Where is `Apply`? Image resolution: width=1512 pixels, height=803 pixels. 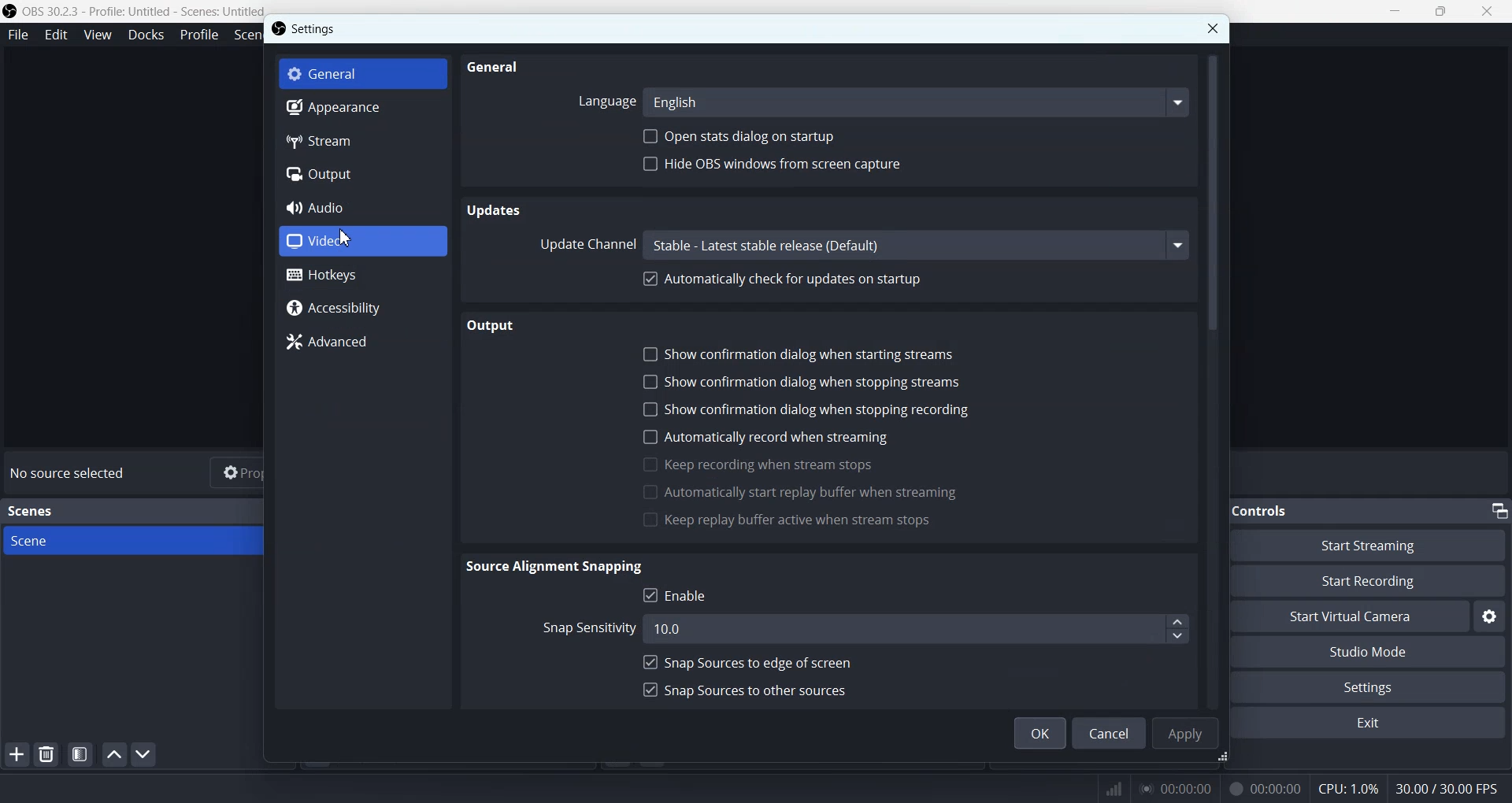 Apply is located at coordinates (1184, 732).